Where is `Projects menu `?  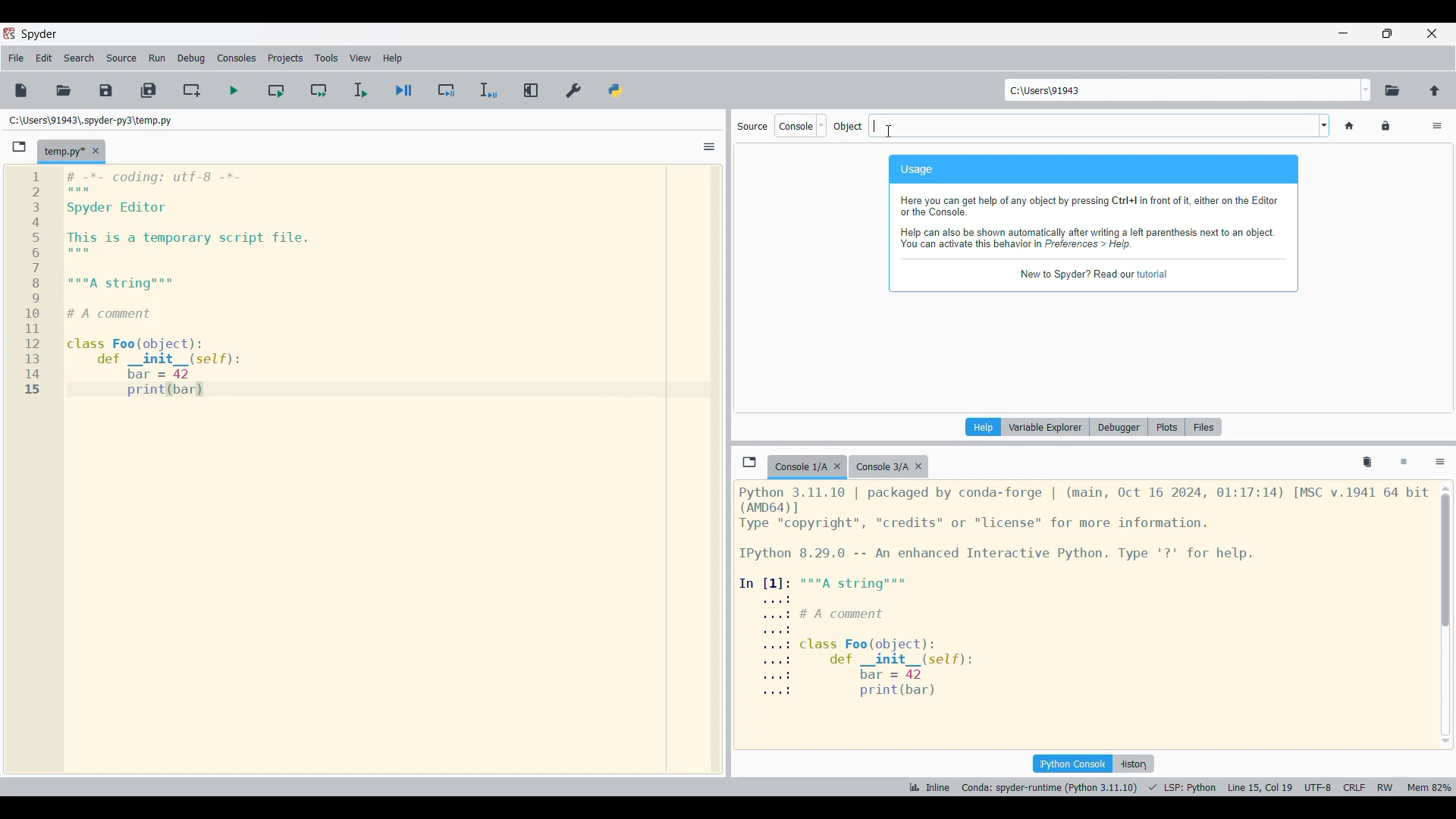
Projects menu  is located at coordinates (285, 58).